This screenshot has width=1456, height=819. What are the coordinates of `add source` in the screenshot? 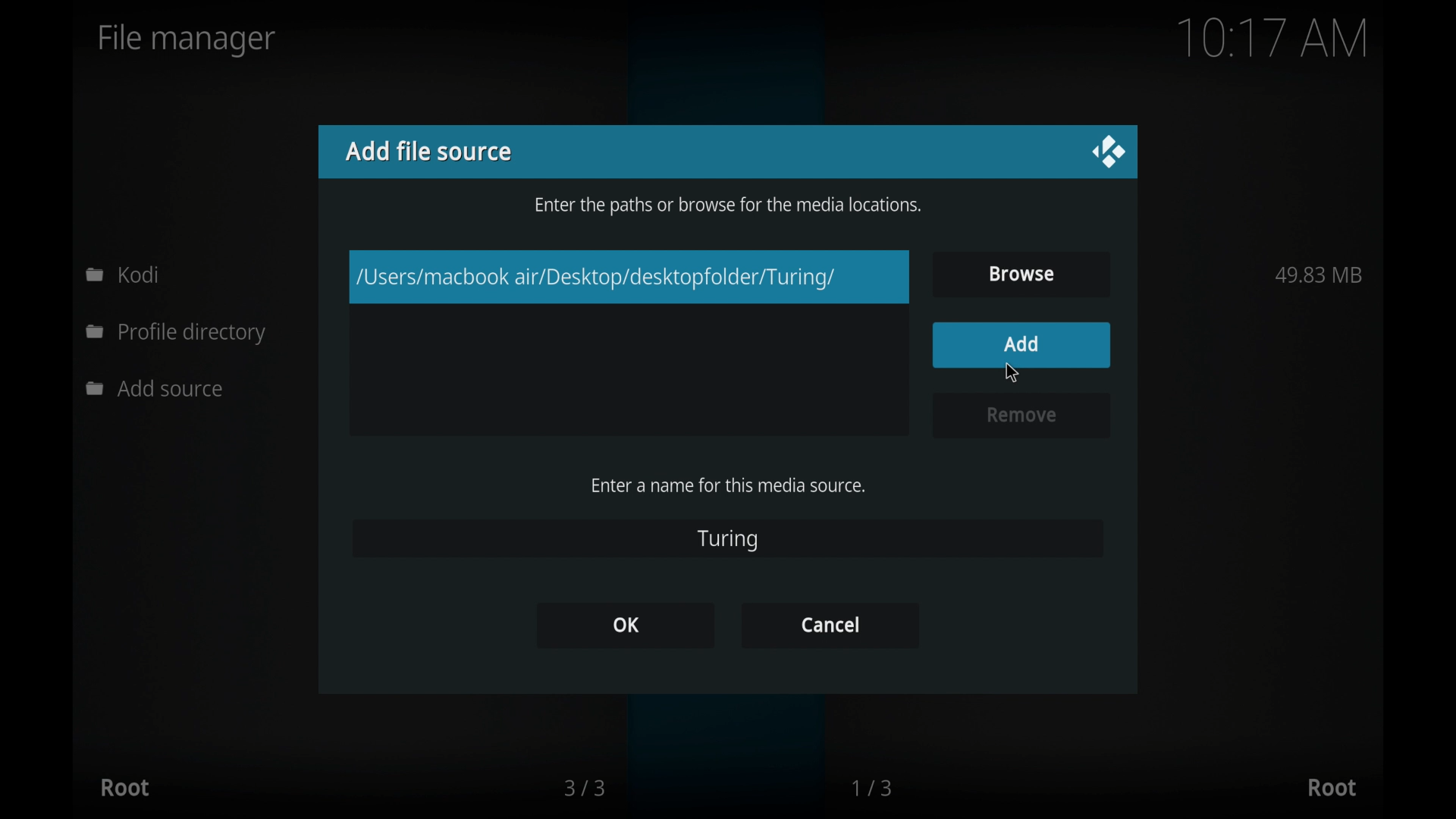 It's located at (158, 389).